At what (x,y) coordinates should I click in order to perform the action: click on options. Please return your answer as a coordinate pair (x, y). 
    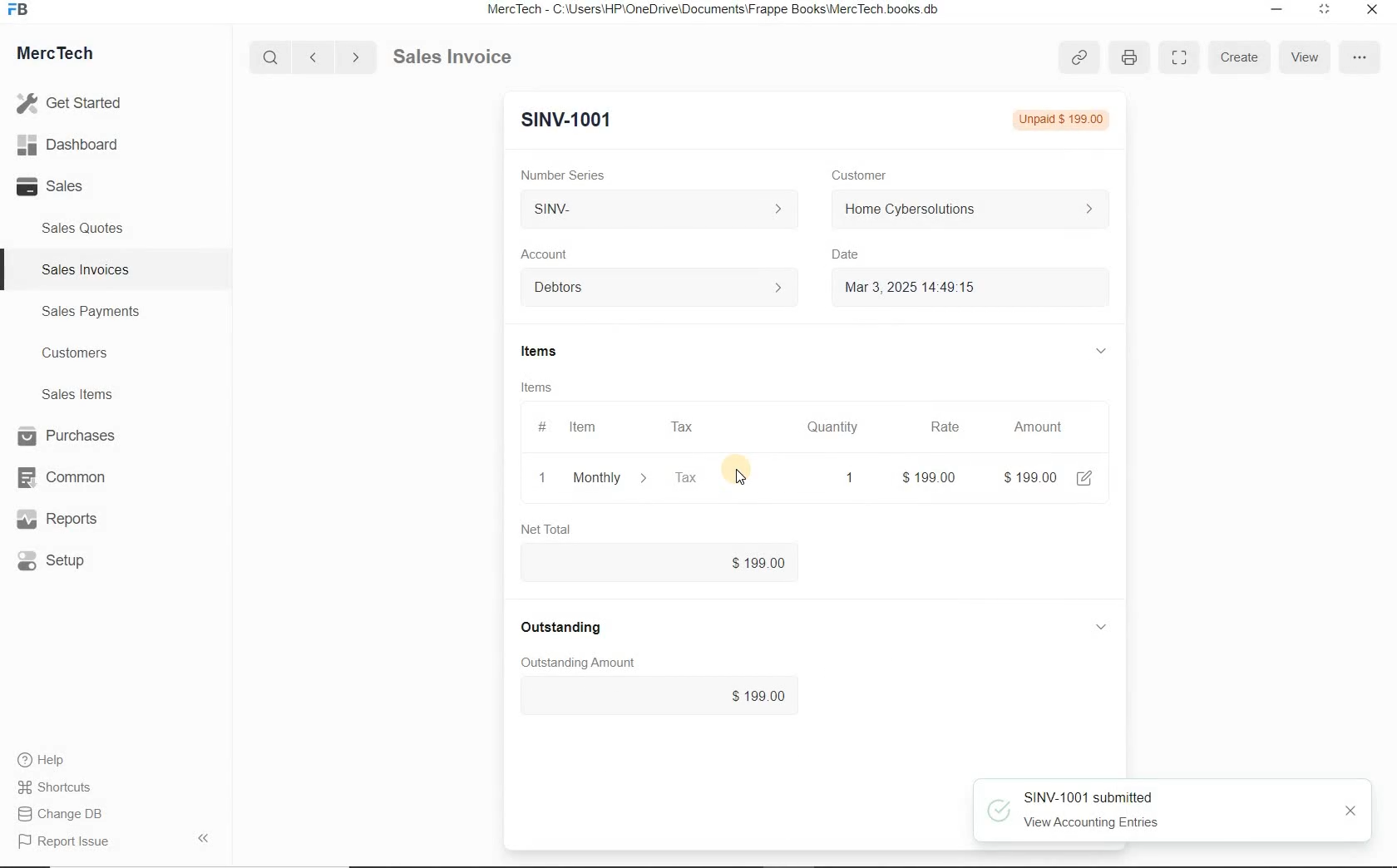
    Looking at the image, I should click on (1360, 57).